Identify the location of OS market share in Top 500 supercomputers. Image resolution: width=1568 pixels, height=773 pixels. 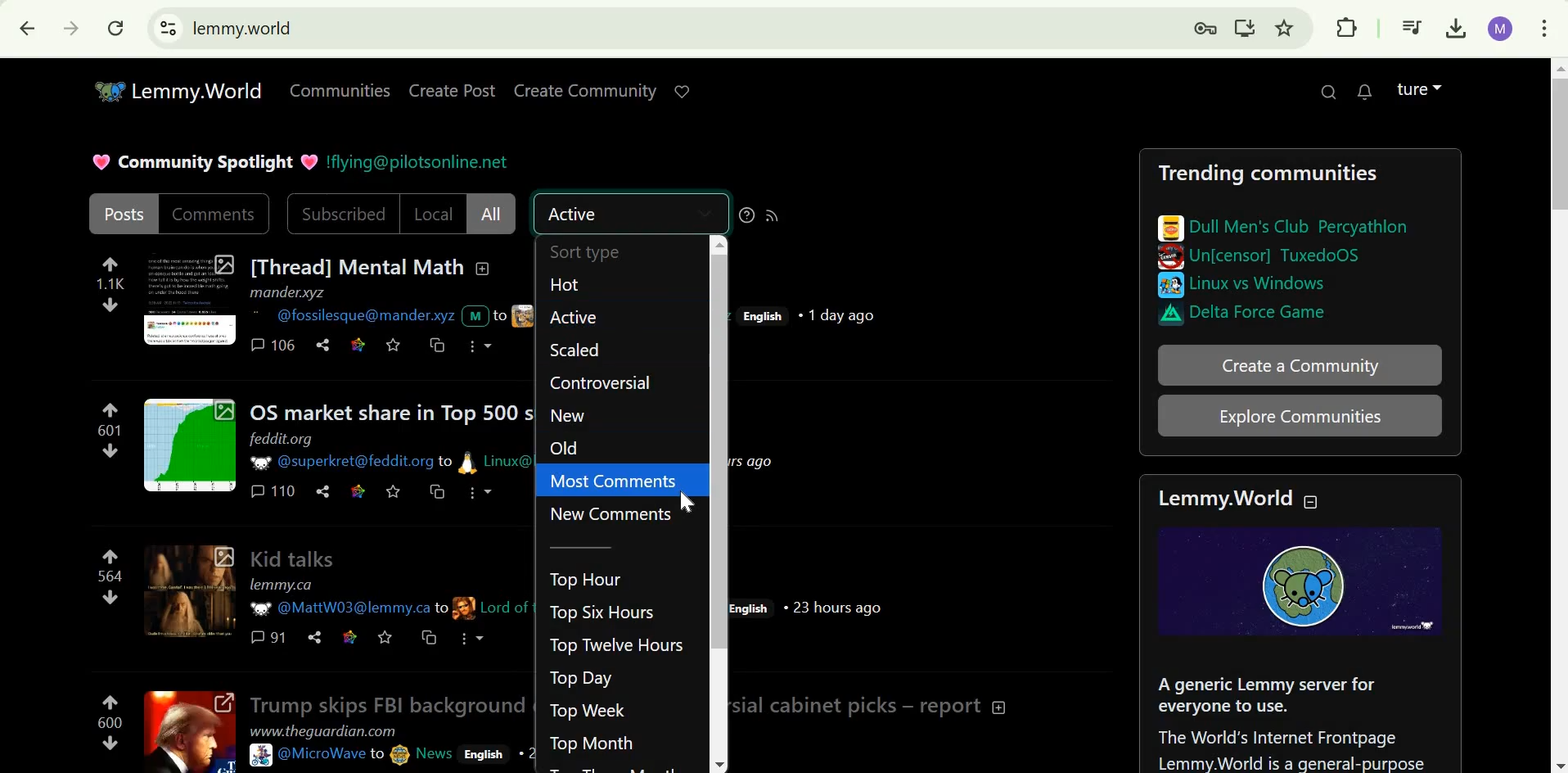
(390, 412).